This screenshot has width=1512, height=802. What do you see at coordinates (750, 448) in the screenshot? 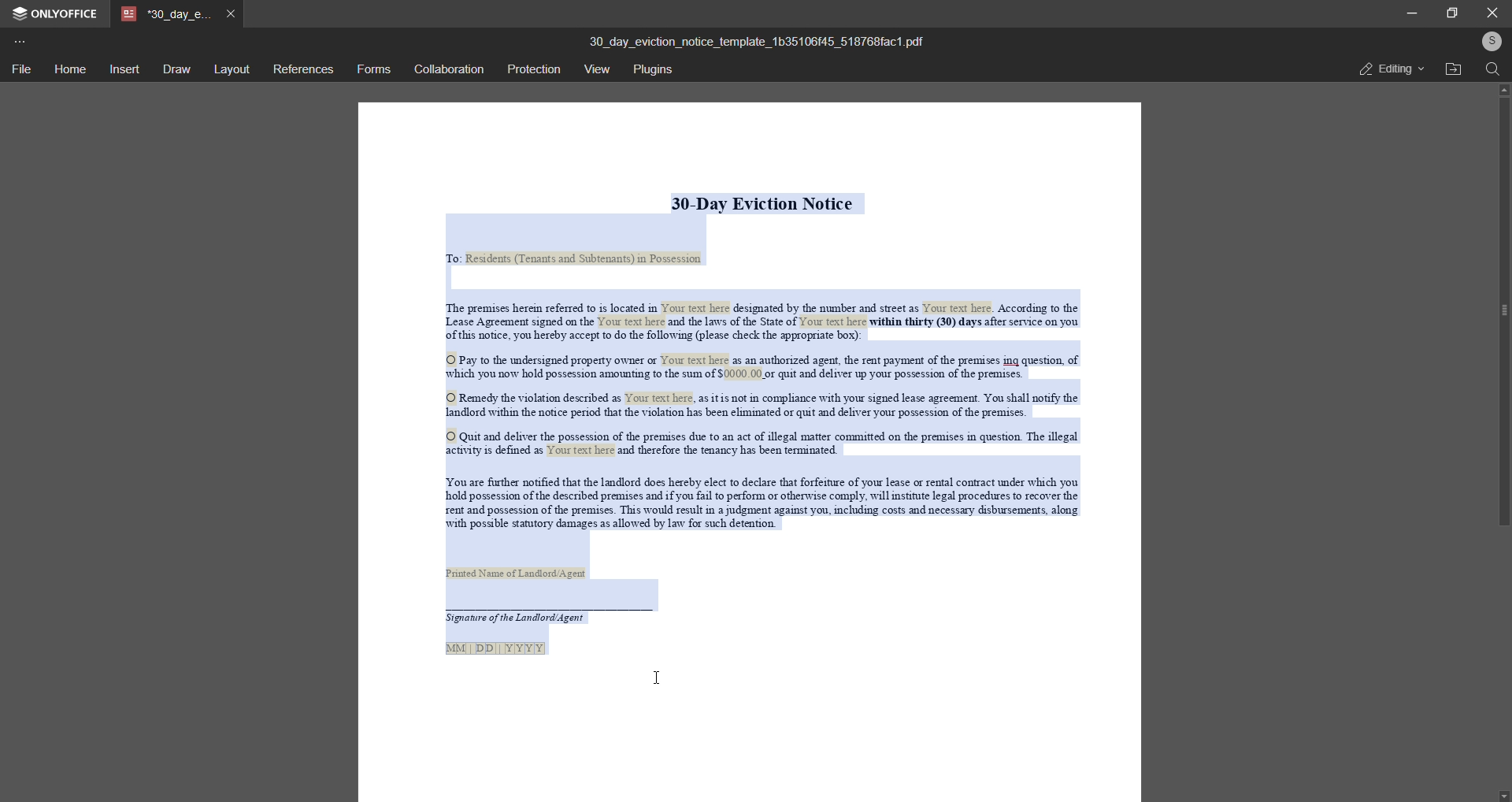
I see `(Text selected)This is a 30 day eviction notice informing tenants that they must either pay overdue rent,correct a lease violation, or vacate the premises due to illegal activity. Failing to comply will result in legal actions. - text selected` at bounding box center [750, 448].